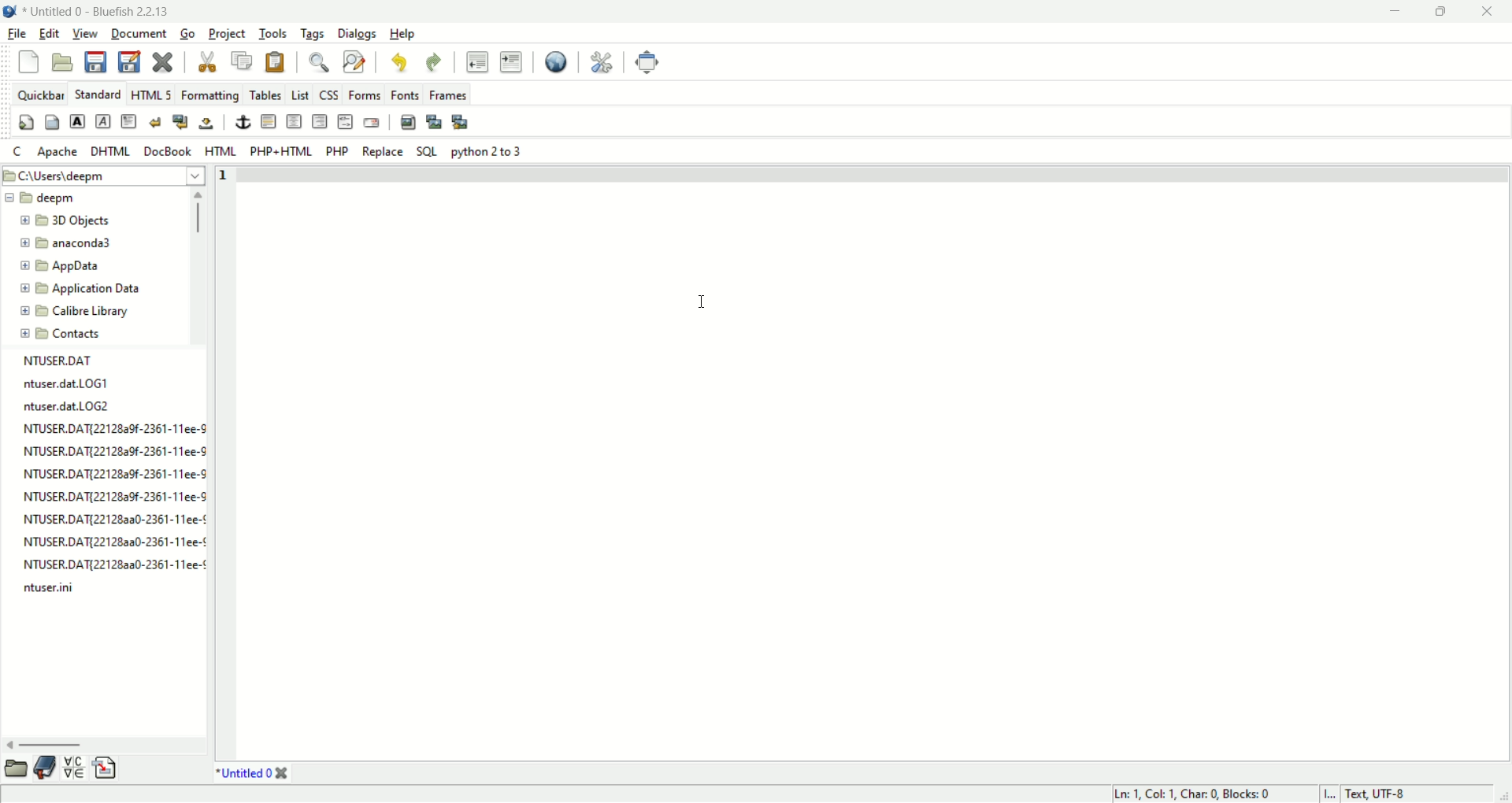  Describe the element at coordinates (311, 34) in the screenshot. I see `tags` at that location.